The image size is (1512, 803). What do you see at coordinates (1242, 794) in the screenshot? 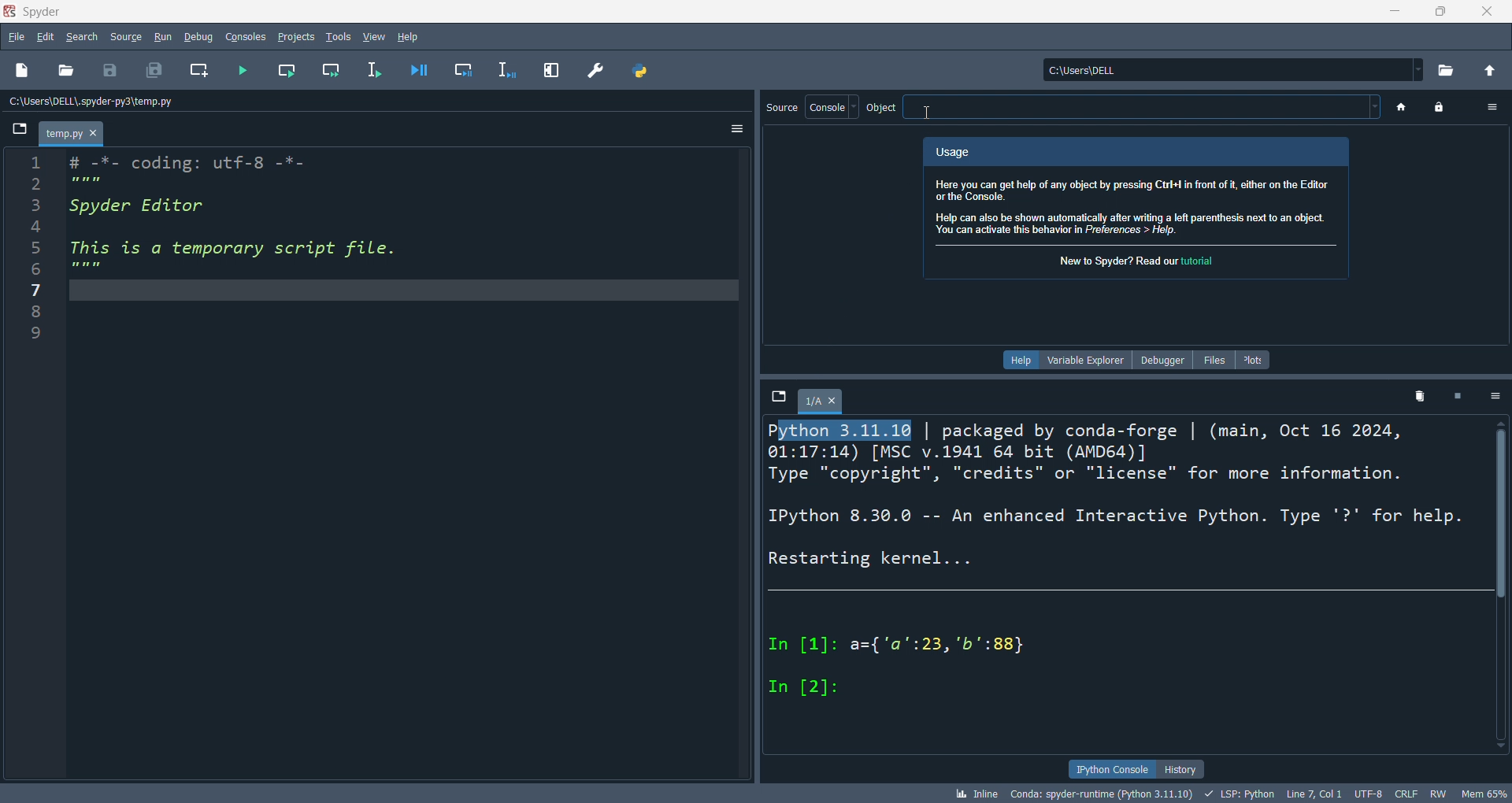
I see `LSP:Python` at bounding box center [1242, 794].